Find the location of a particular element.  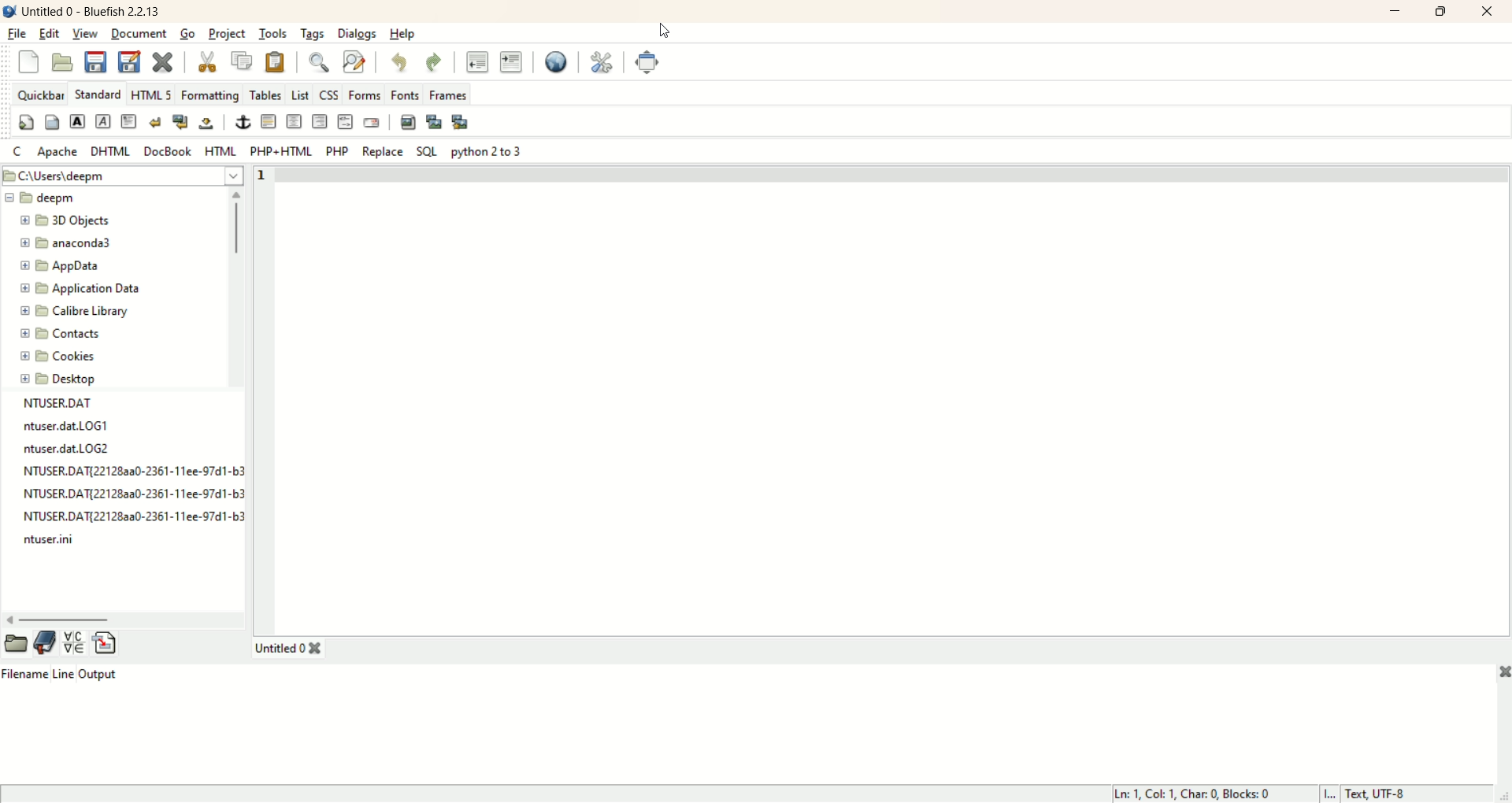

new is located at coordinates (26, 61).